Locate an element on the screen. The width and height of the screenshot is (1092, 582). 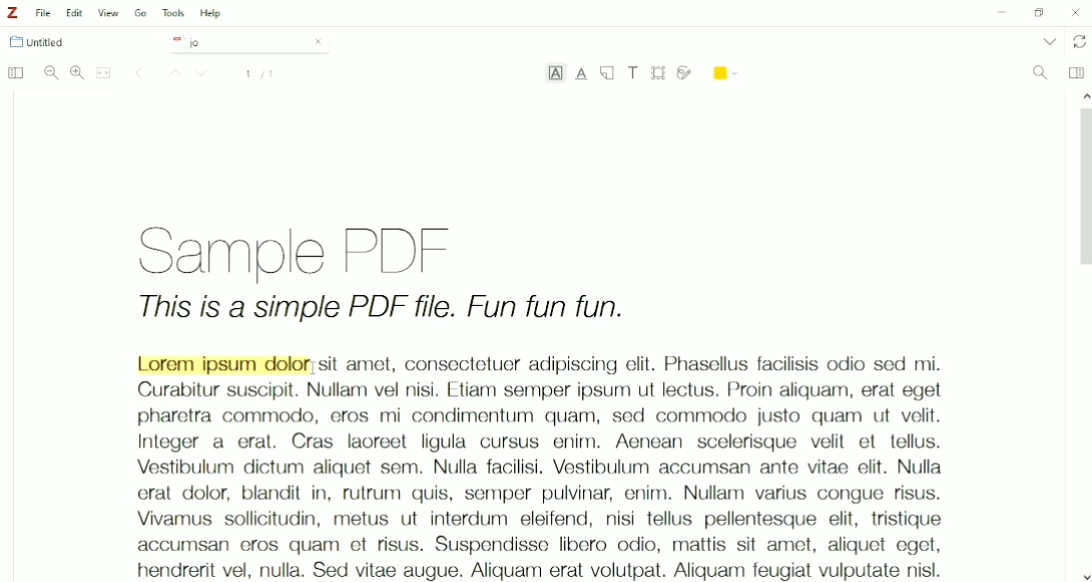
Highlight color is located at coordinates (727, 71).